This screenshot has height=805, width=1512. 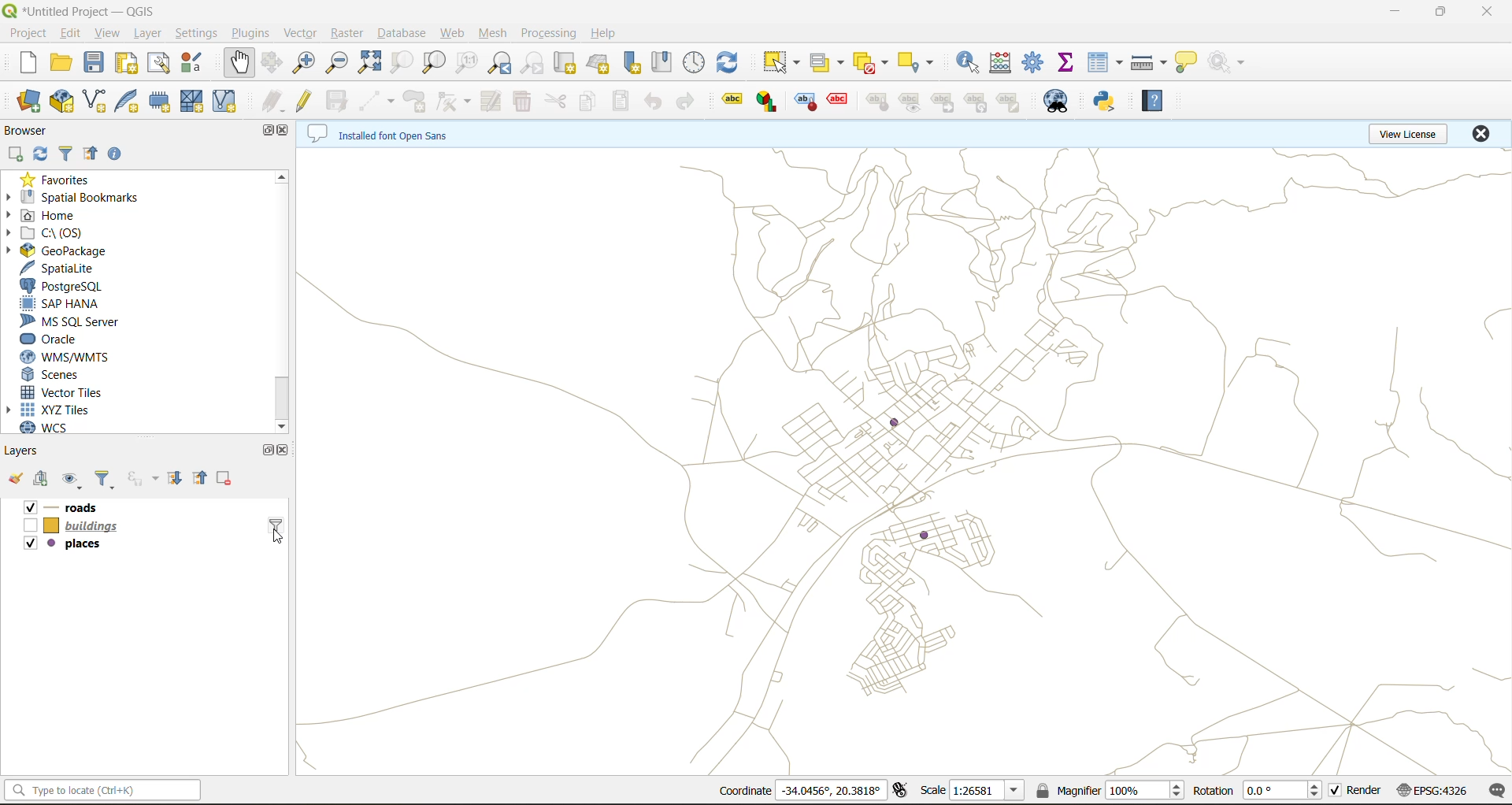 What do you see at coordinates (55, 428) in the screenshot?
I see `wcs` at bounding box center [55, 428].